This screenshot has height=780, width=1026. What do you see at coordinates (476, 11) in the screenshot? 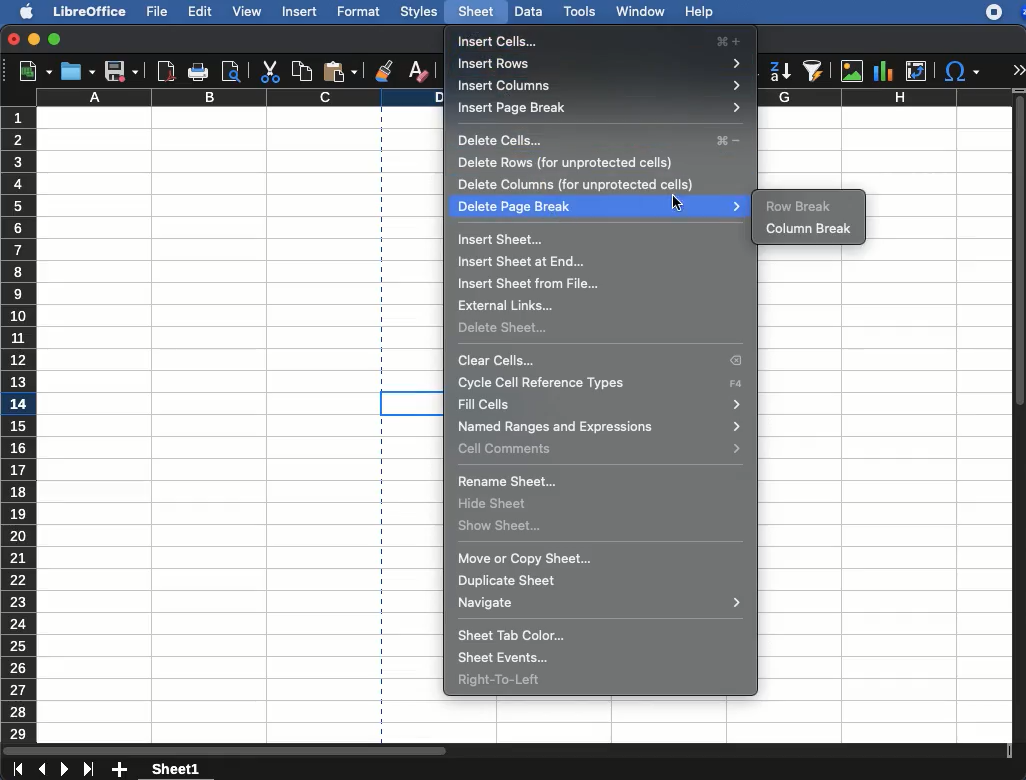
I see `sheet` at bounding box center [476, 11].